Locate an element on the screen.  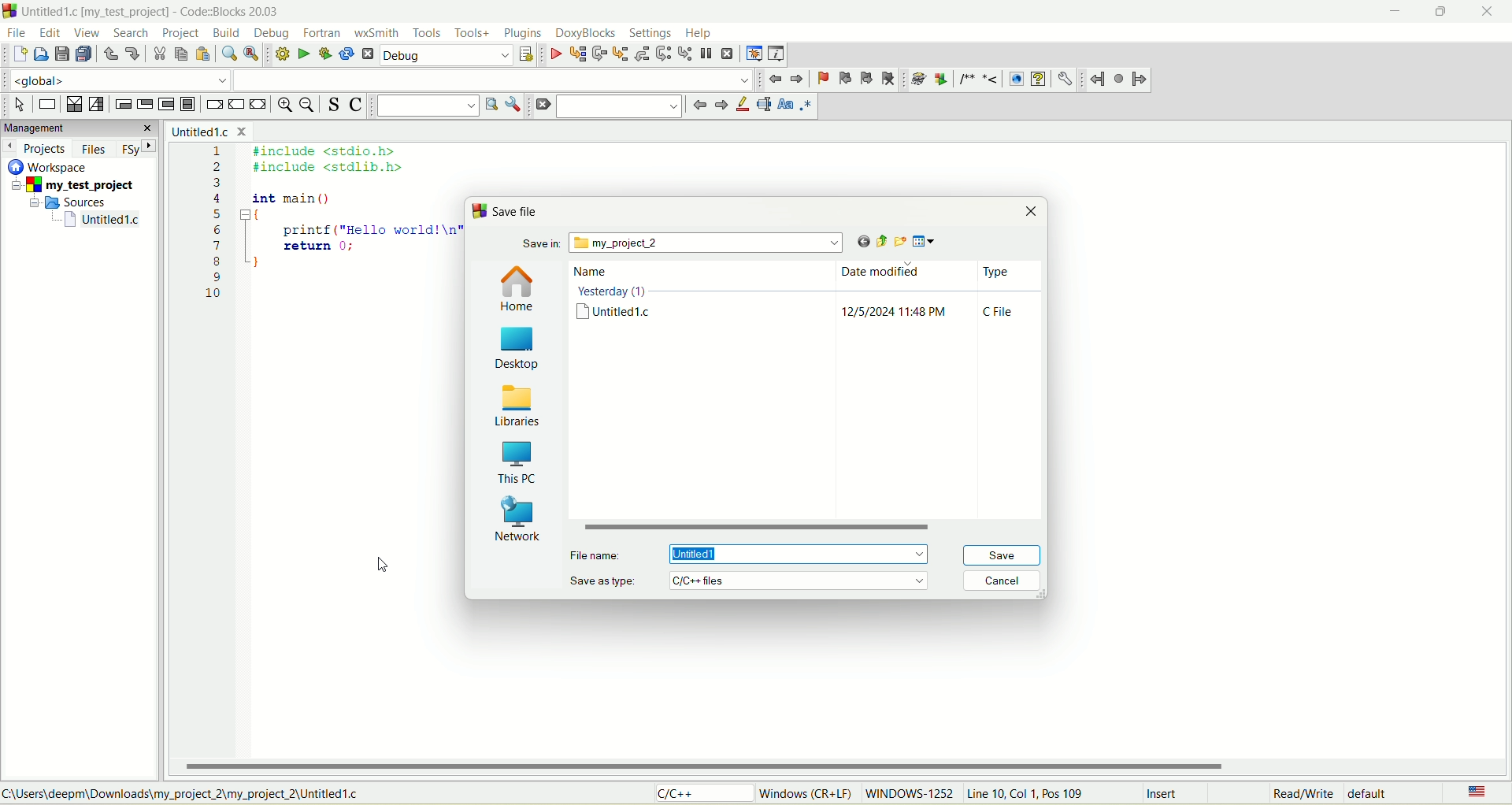
blank space is located at coordinates (494, 80).